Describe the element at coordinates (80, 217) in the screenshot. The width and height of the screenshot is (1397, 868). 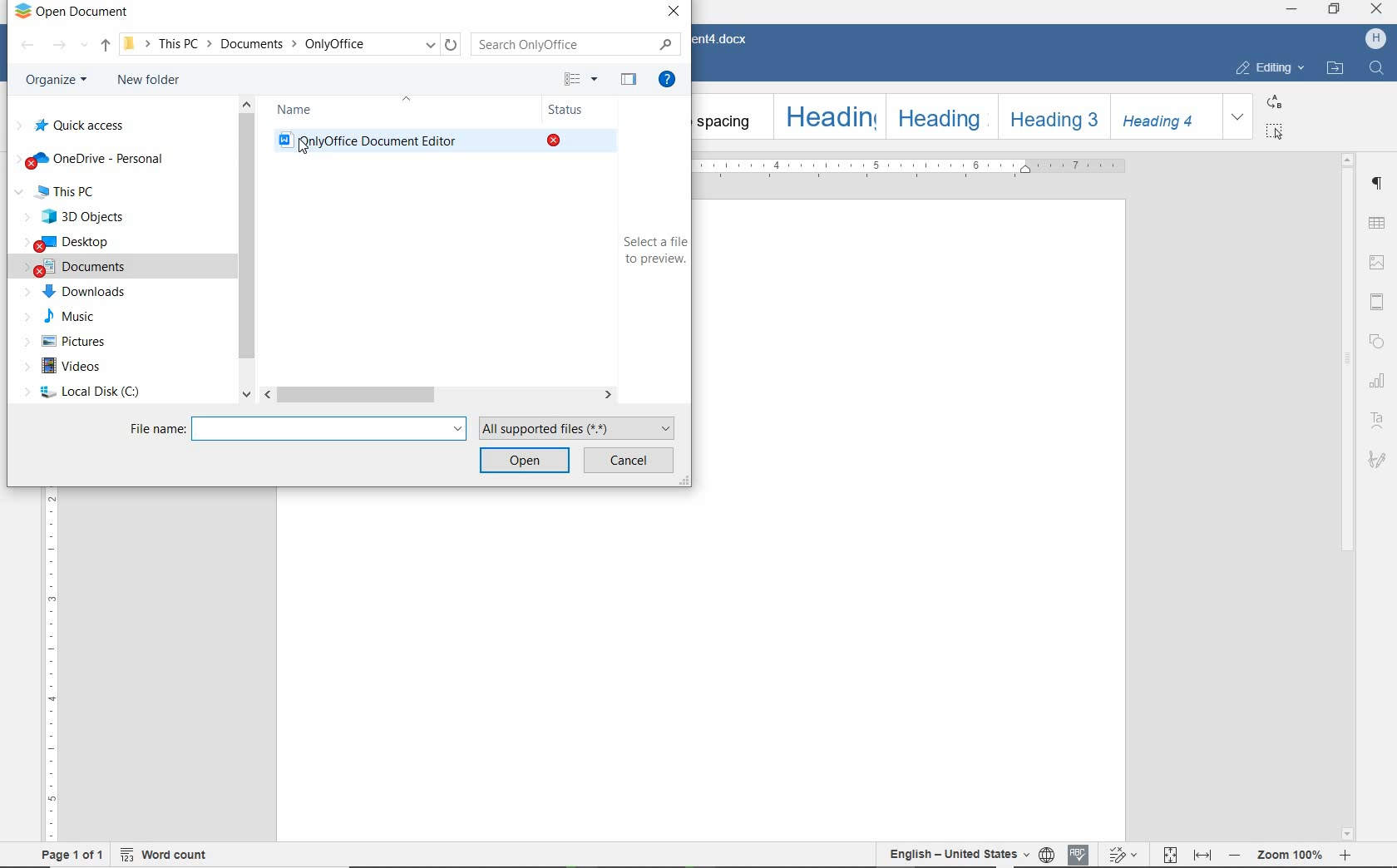
I see `3D Objects` at that location.